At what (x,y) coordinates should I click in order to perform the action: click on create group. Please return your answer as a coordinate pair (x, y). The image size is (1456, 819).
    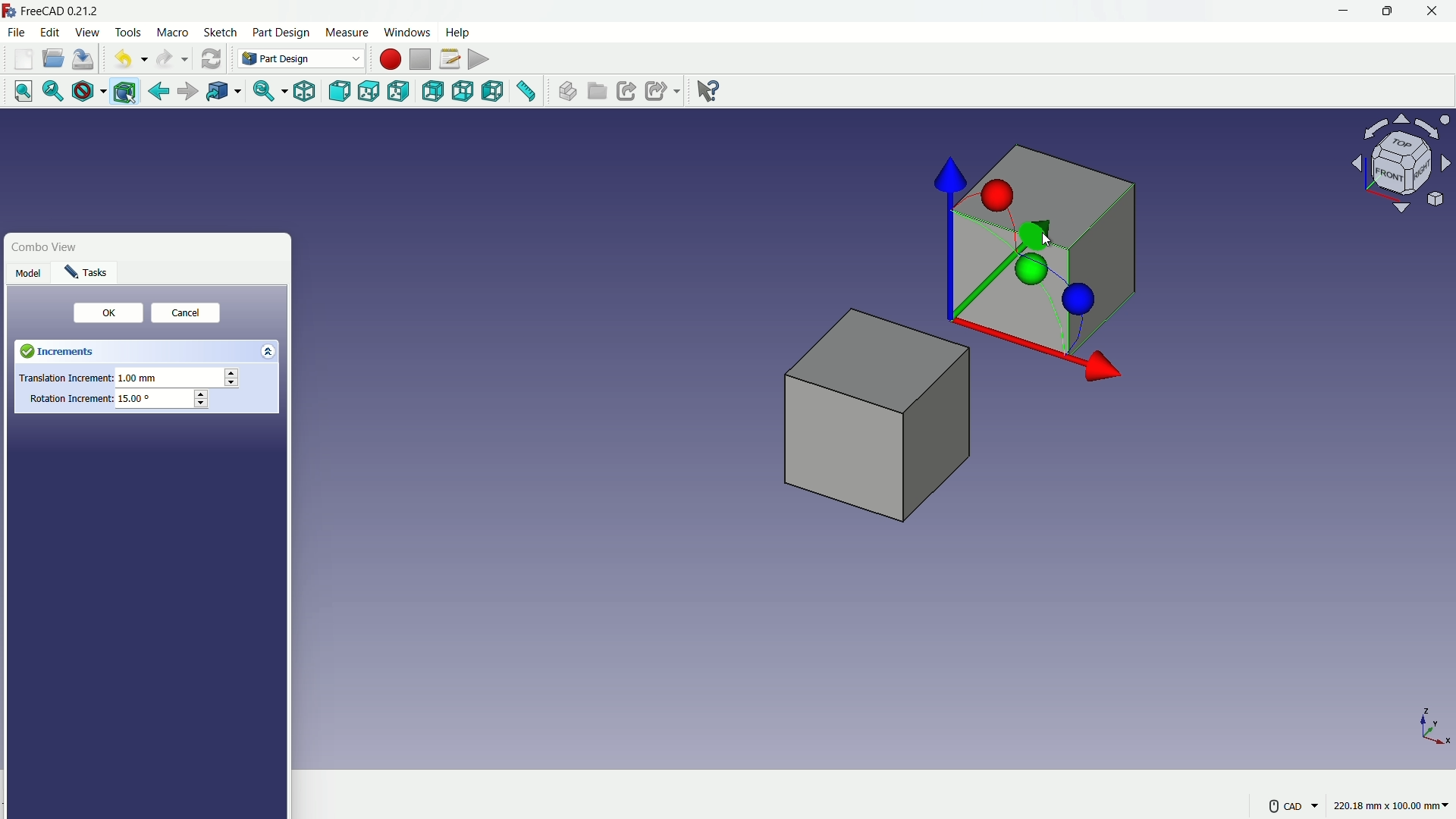
    Looking at the image, I should click on (598, 93).